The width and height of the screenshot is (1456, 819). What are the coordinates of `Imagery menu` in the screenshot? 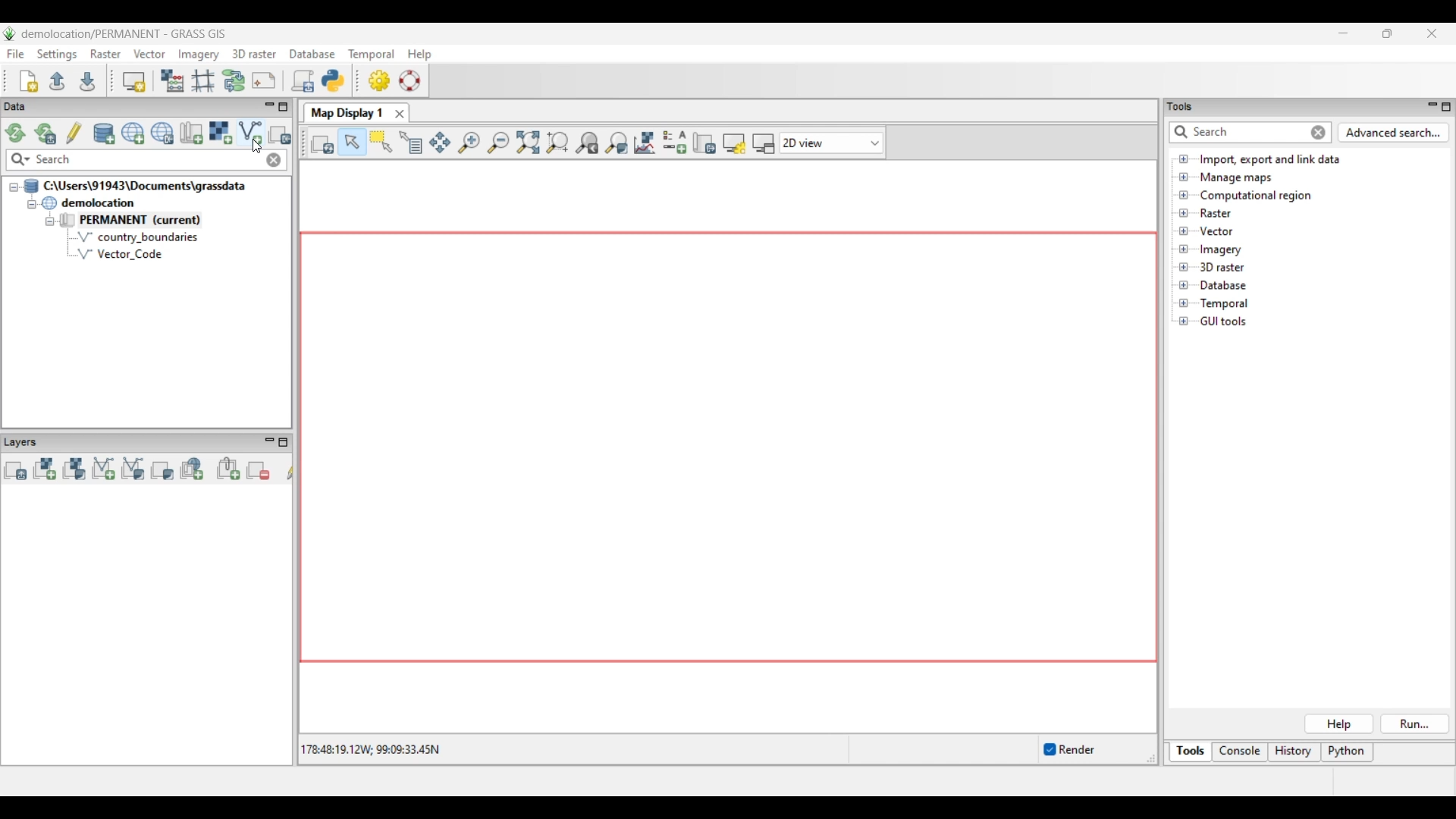 It's located at (199, 55).